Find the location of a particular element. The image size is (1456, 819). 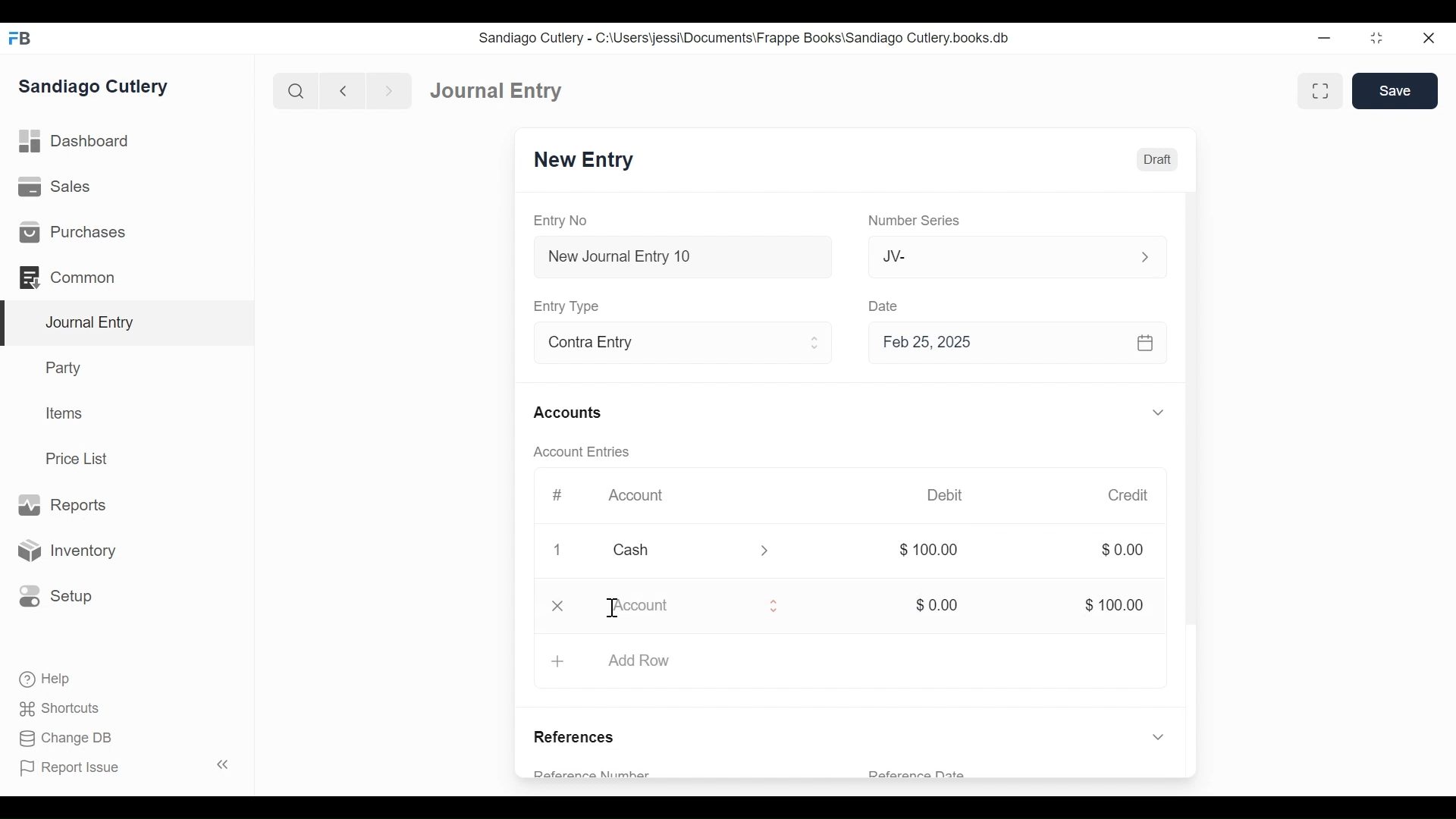

Close is located at coordinates (1427, 39).